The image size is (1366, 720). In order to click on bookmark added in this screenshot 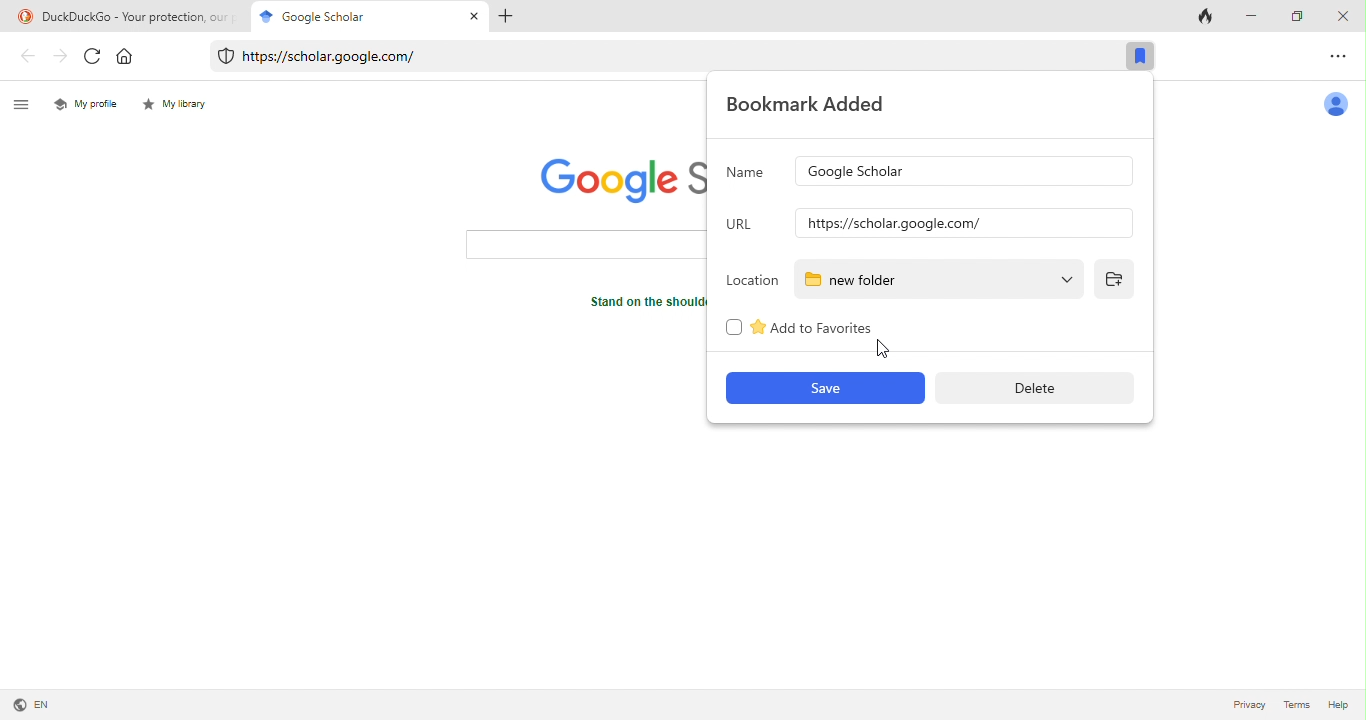, I will do `click(811, 107)`.